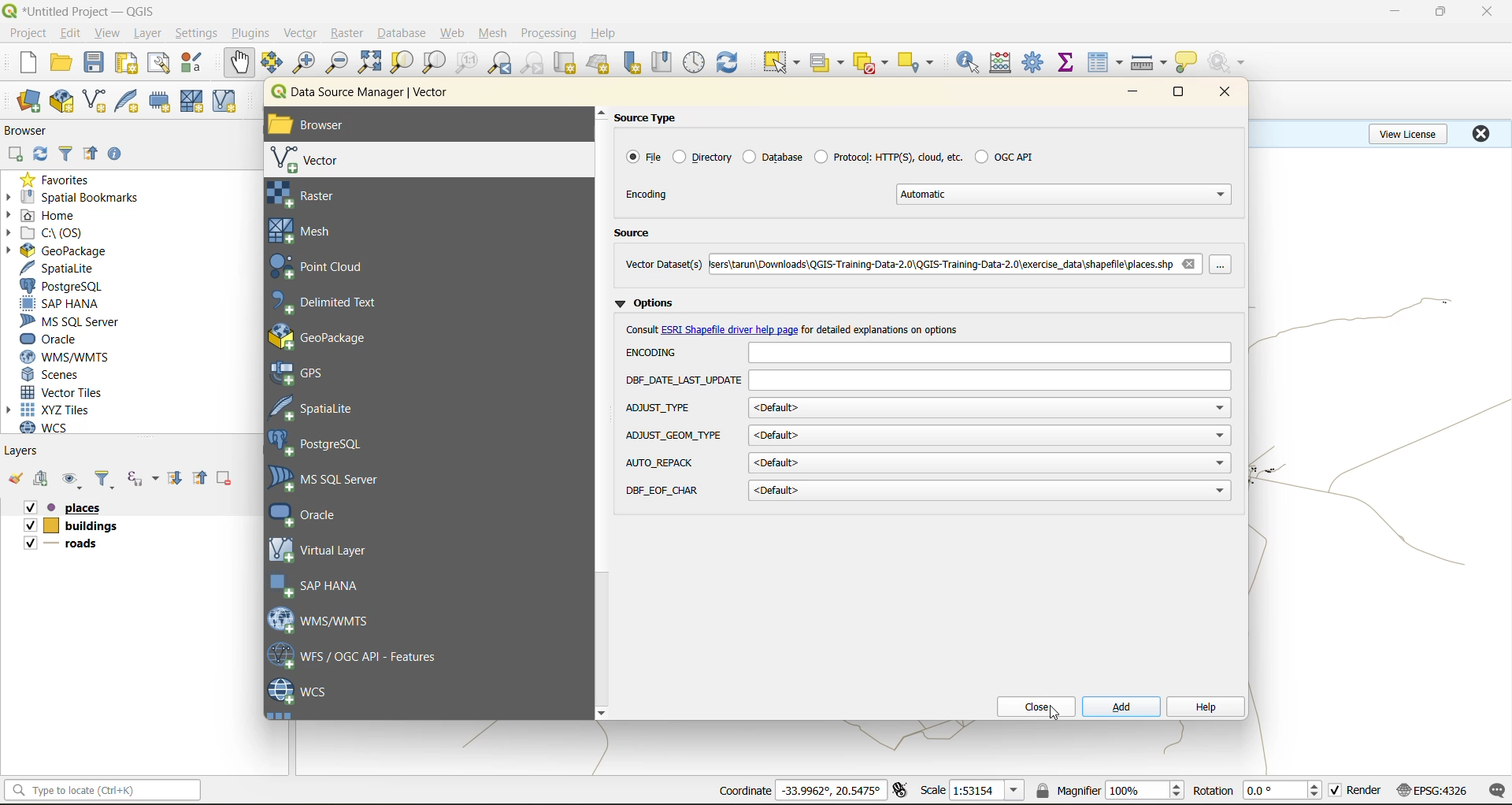 The height and width of the screenshot is (805, 1512). I want to click on vector dataset, so click(939, 262).